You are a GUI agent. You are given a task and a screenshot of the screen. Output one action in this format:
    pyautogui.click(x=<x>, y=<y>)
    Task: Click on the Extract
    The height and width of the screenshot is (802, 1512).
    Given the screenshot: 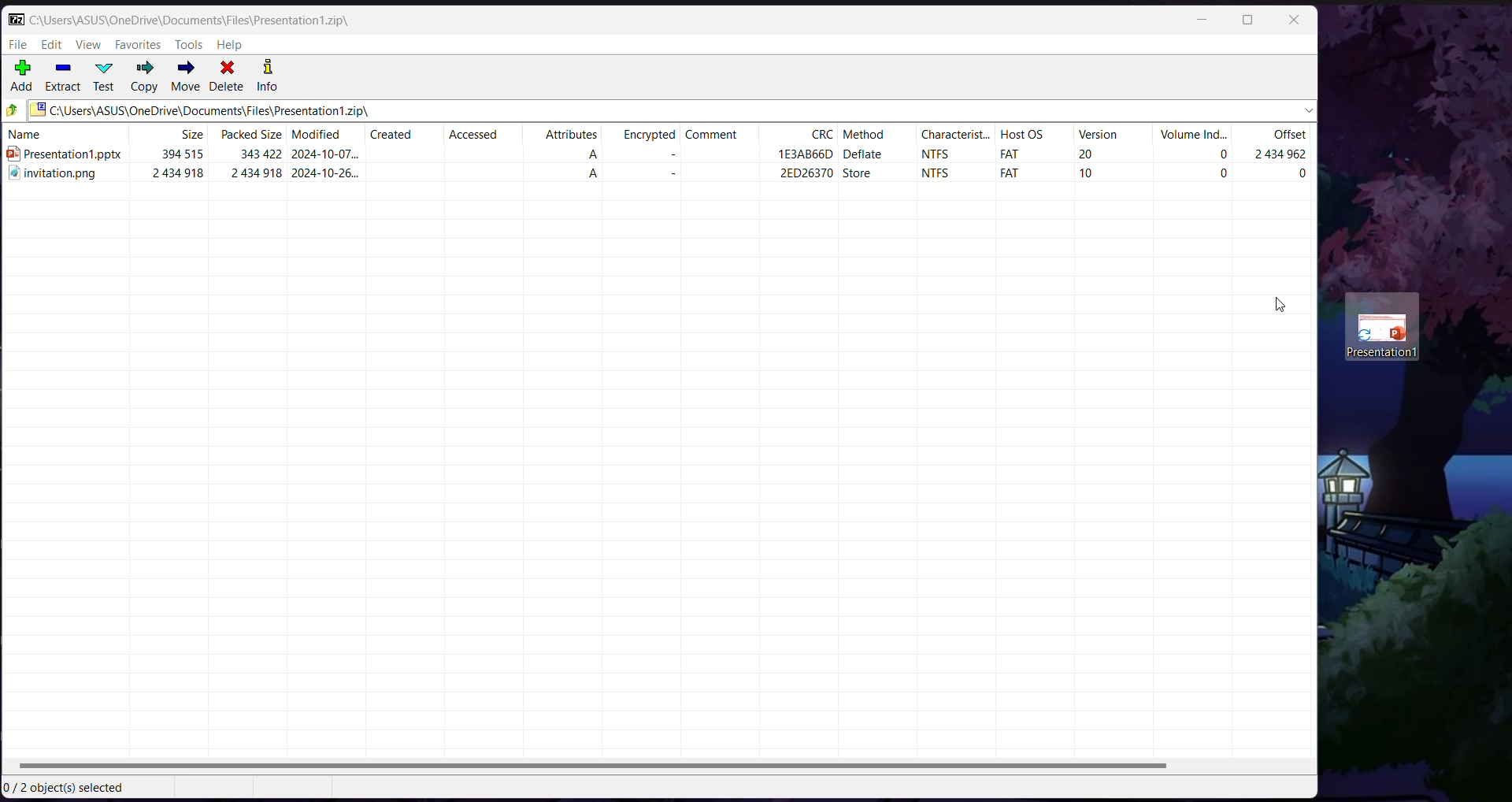 What is the action you would take?
    pyautogui.click(x=64, y=78)
    